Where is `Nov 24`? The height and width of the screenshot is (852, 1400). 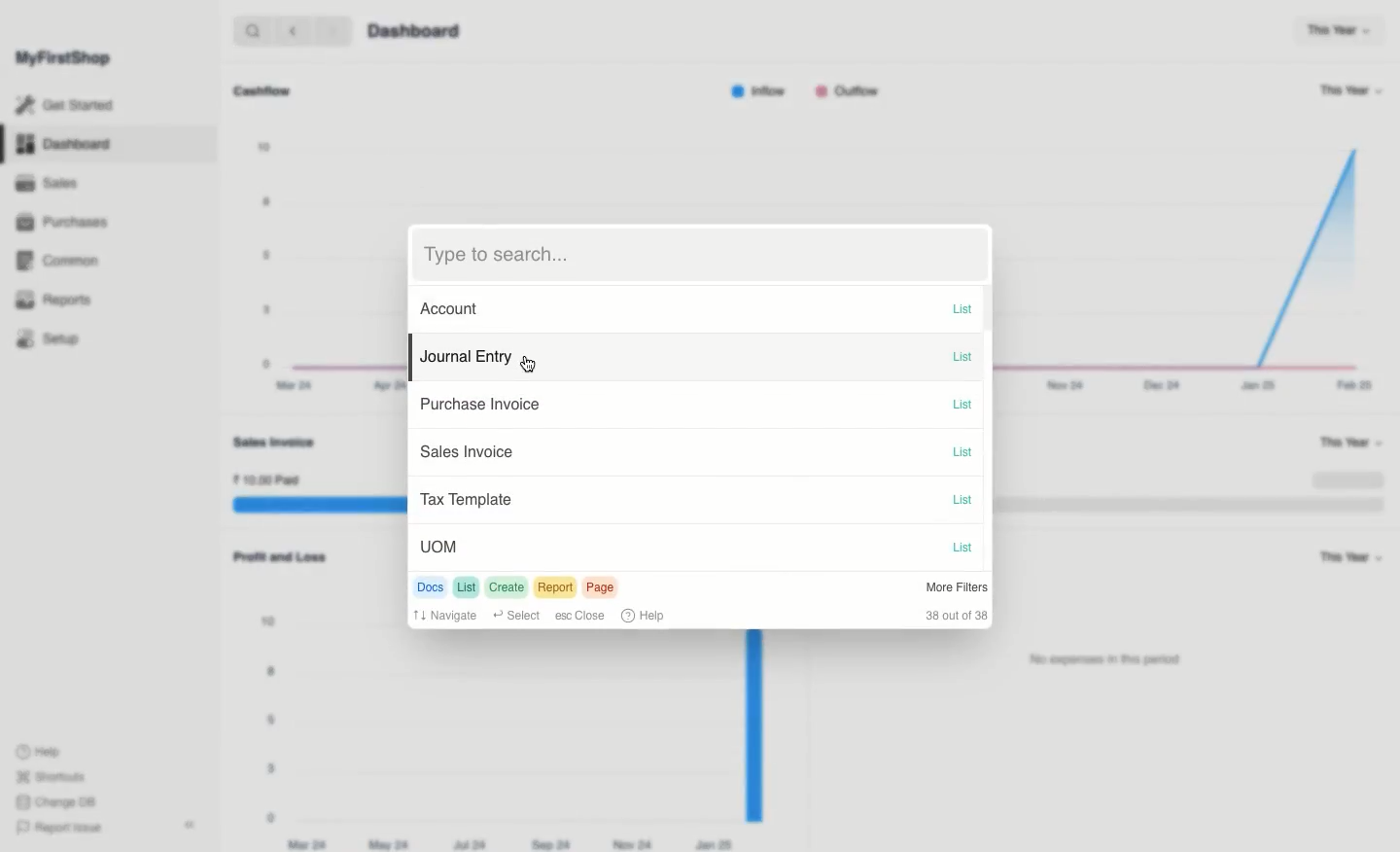
Nov 24 is located at coordinates (631, 843).